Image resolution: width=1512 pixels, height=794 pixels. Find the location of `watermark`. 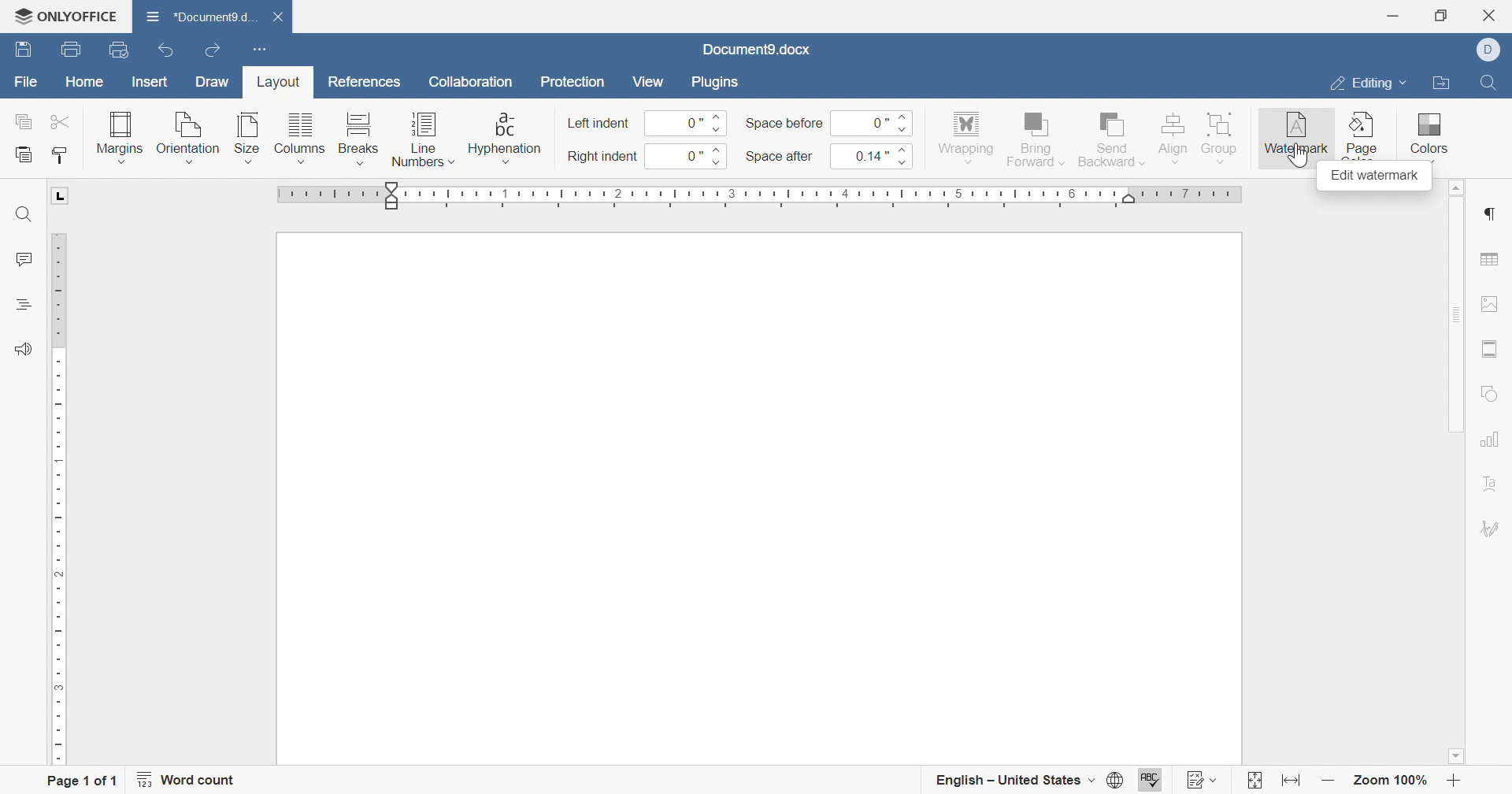

watermark is located at coordinates (1295, 133).